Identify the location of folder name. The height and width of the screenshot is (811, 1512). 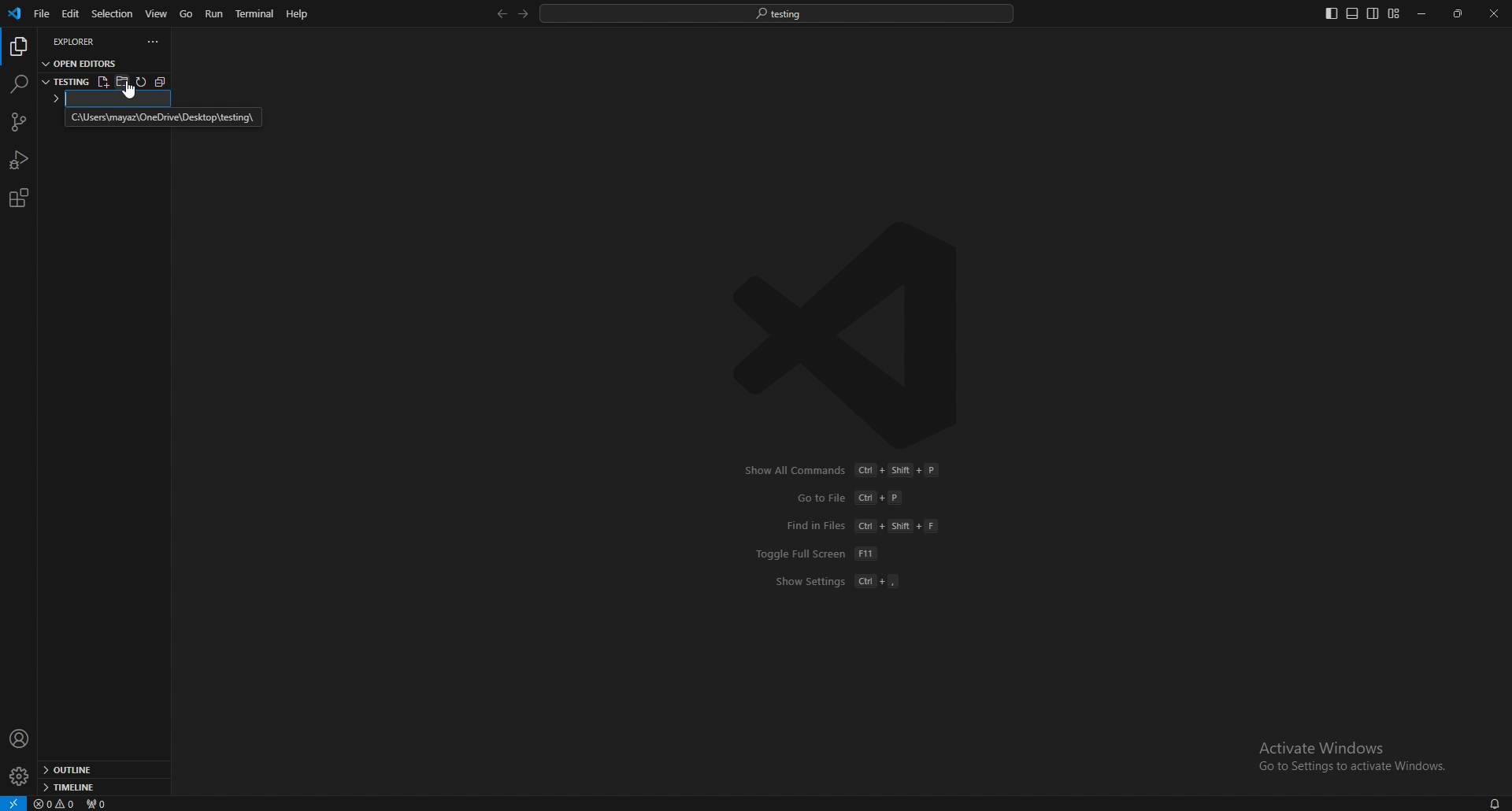
(109, 99).